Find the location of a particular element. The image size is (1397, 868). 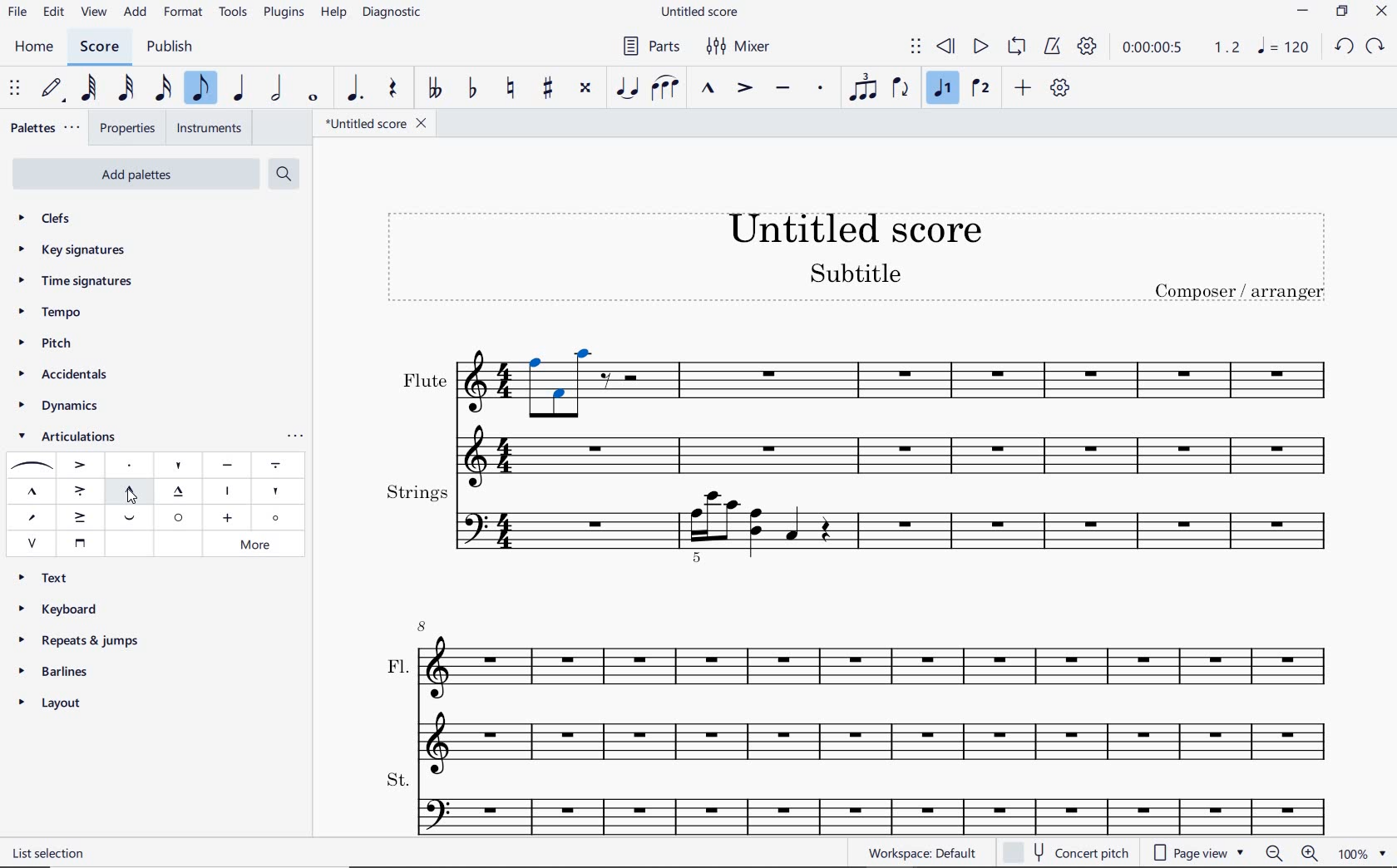

text is located at coordinates (50, 576).